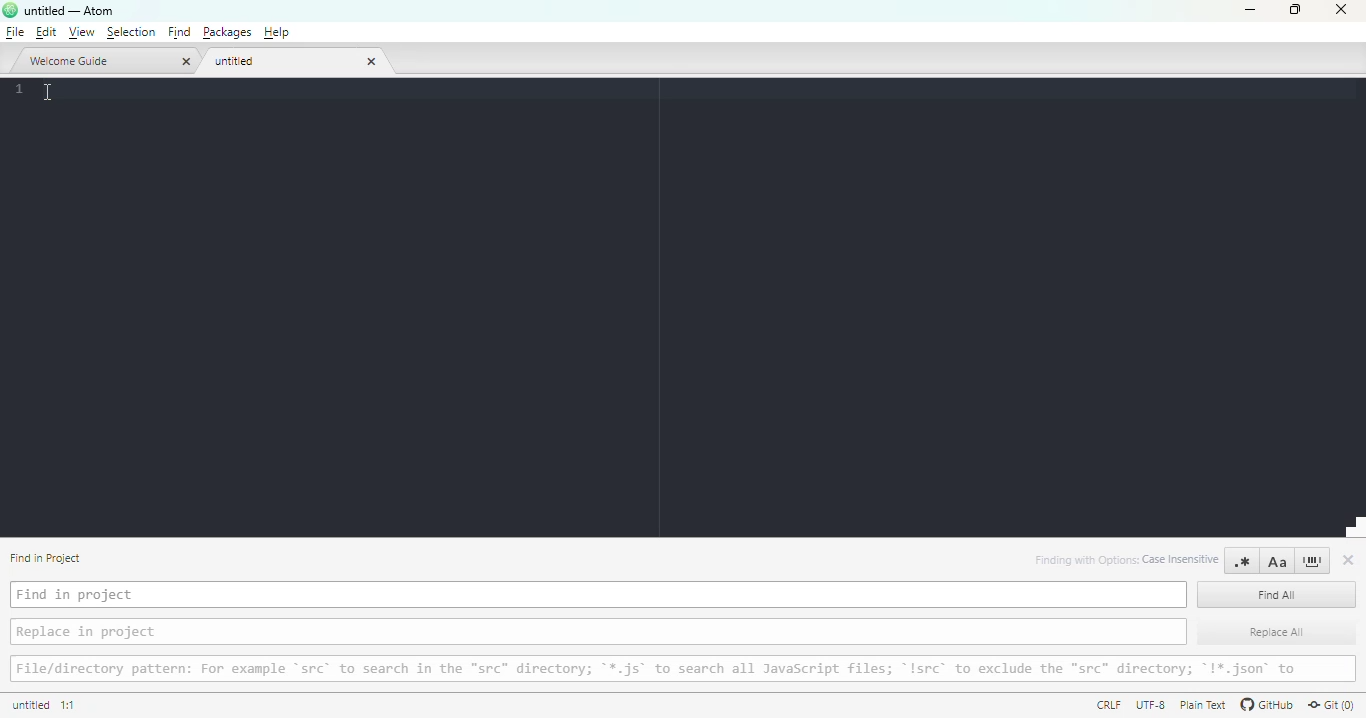 This screenshot has width=1366, height=718. I want to click on packages, so click(226, 32).